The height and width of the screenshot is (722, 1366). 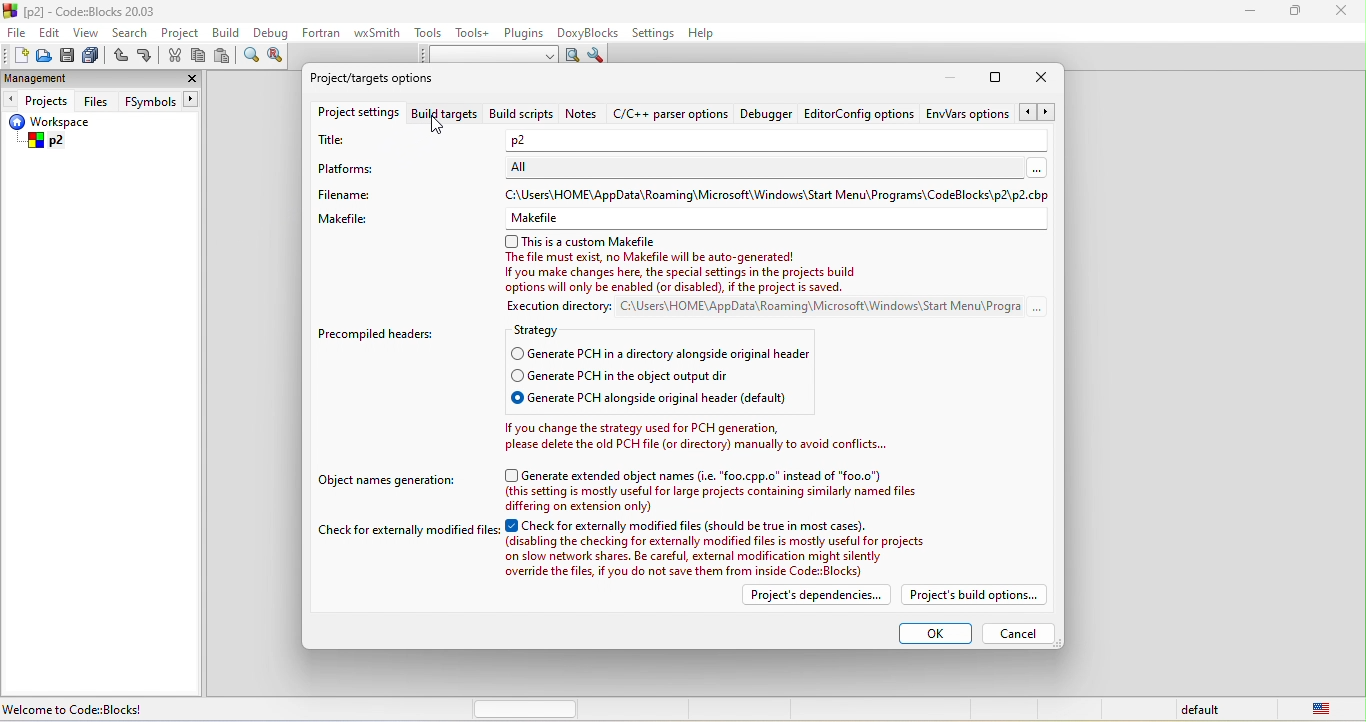 What do you see at coordinates (15, 55) in the screenshot?
I see `new` at bounding box center [15, 55].